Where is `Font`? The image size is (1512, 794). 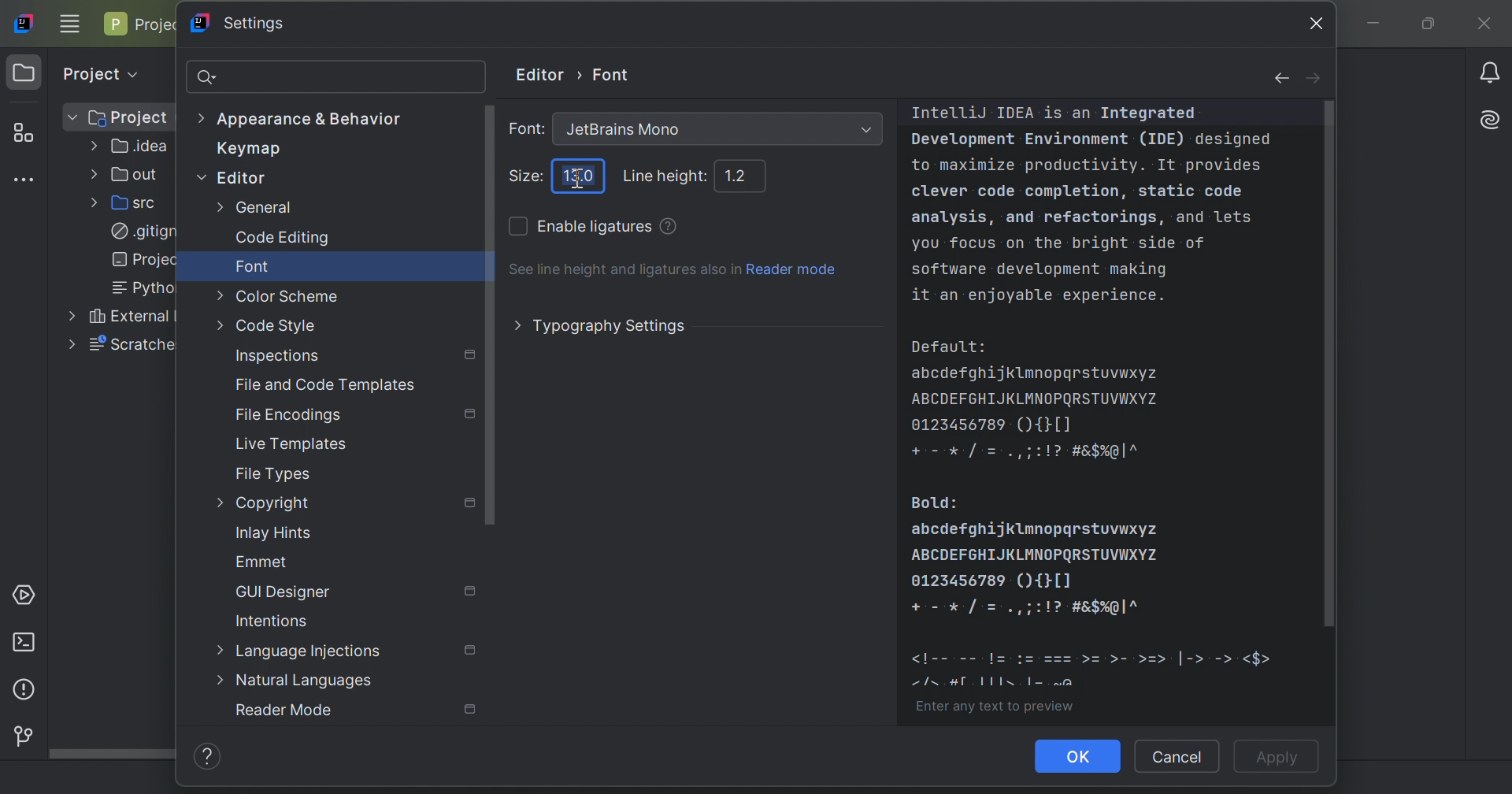
Font is located at coordinates (254, 265).